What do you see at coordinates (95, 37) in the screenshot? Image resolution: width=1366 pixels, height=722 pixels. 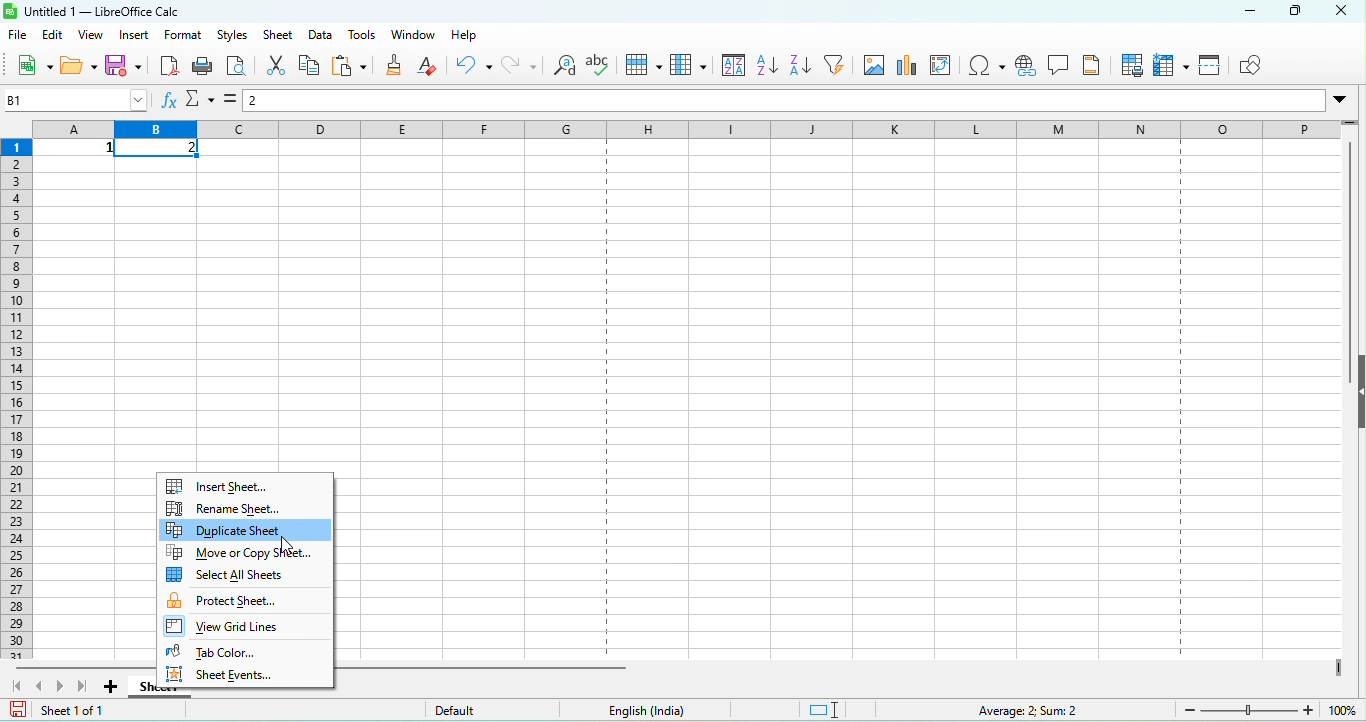 I see `view` at bounding box center [95, 37].